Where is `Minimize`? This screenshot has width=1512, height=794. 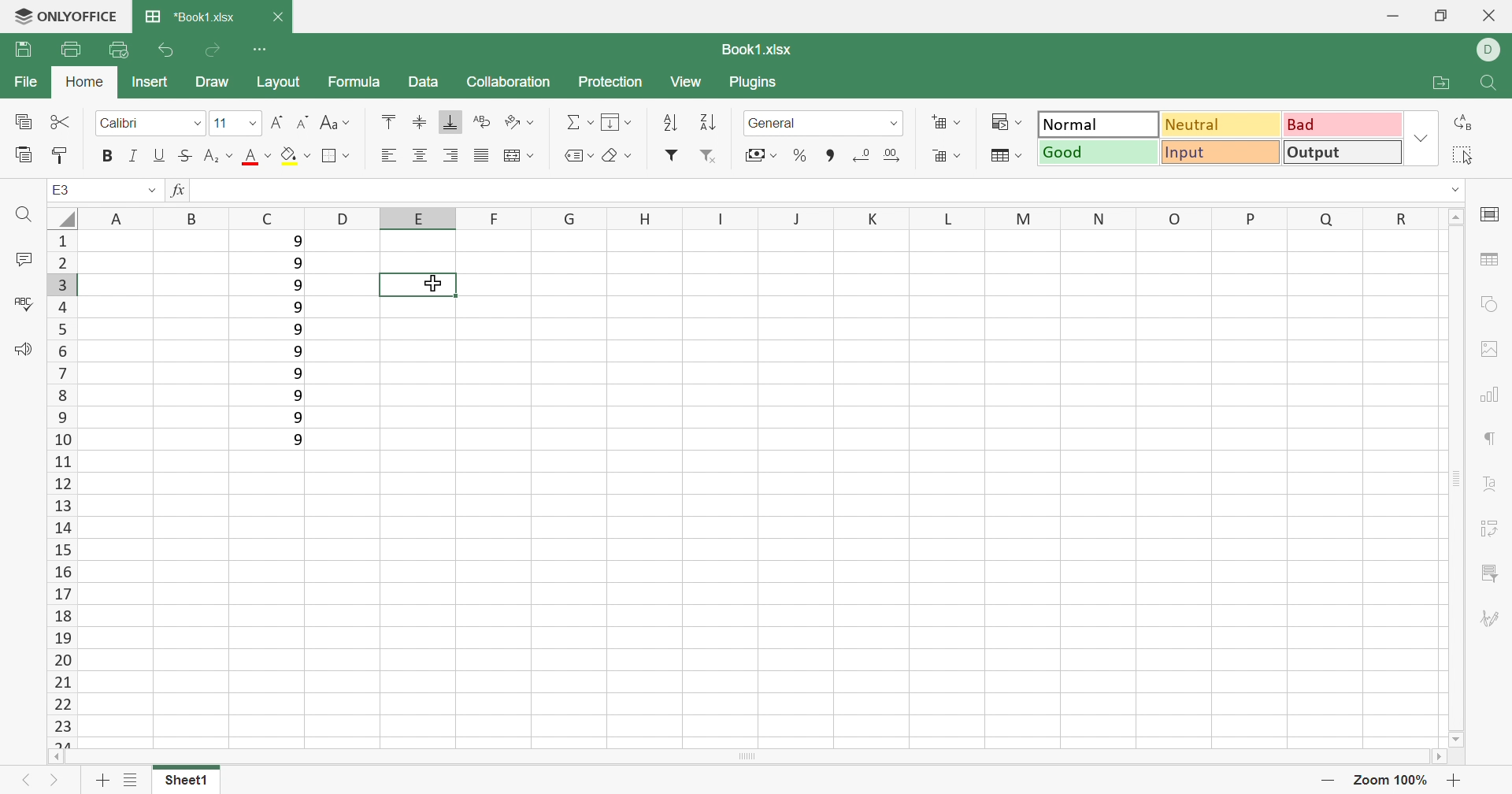
Minimize is located at coordinates (1387, 13).